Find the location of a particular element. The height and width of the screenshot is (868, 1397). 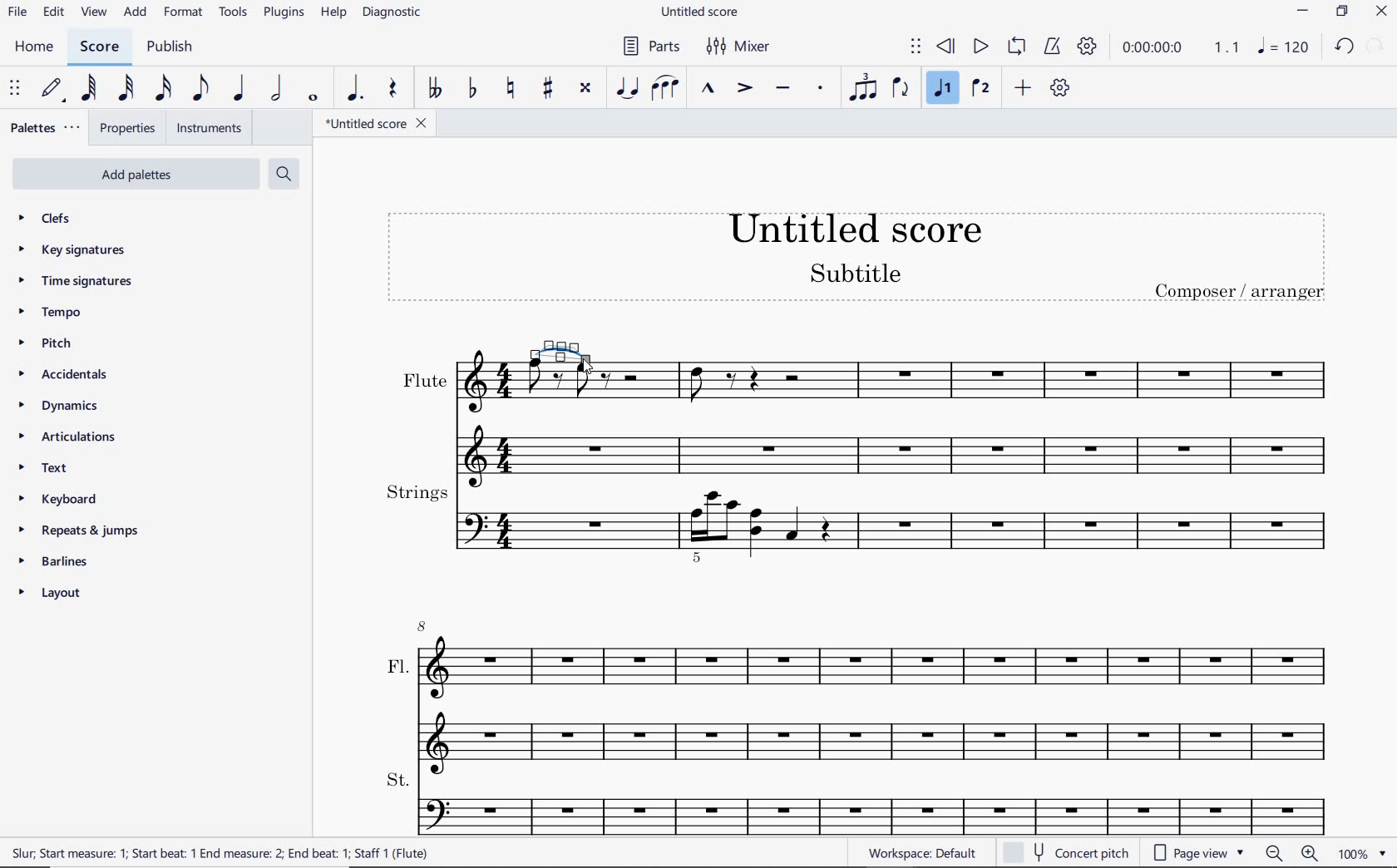

PUBLISH is located at coordinates (173, 47).